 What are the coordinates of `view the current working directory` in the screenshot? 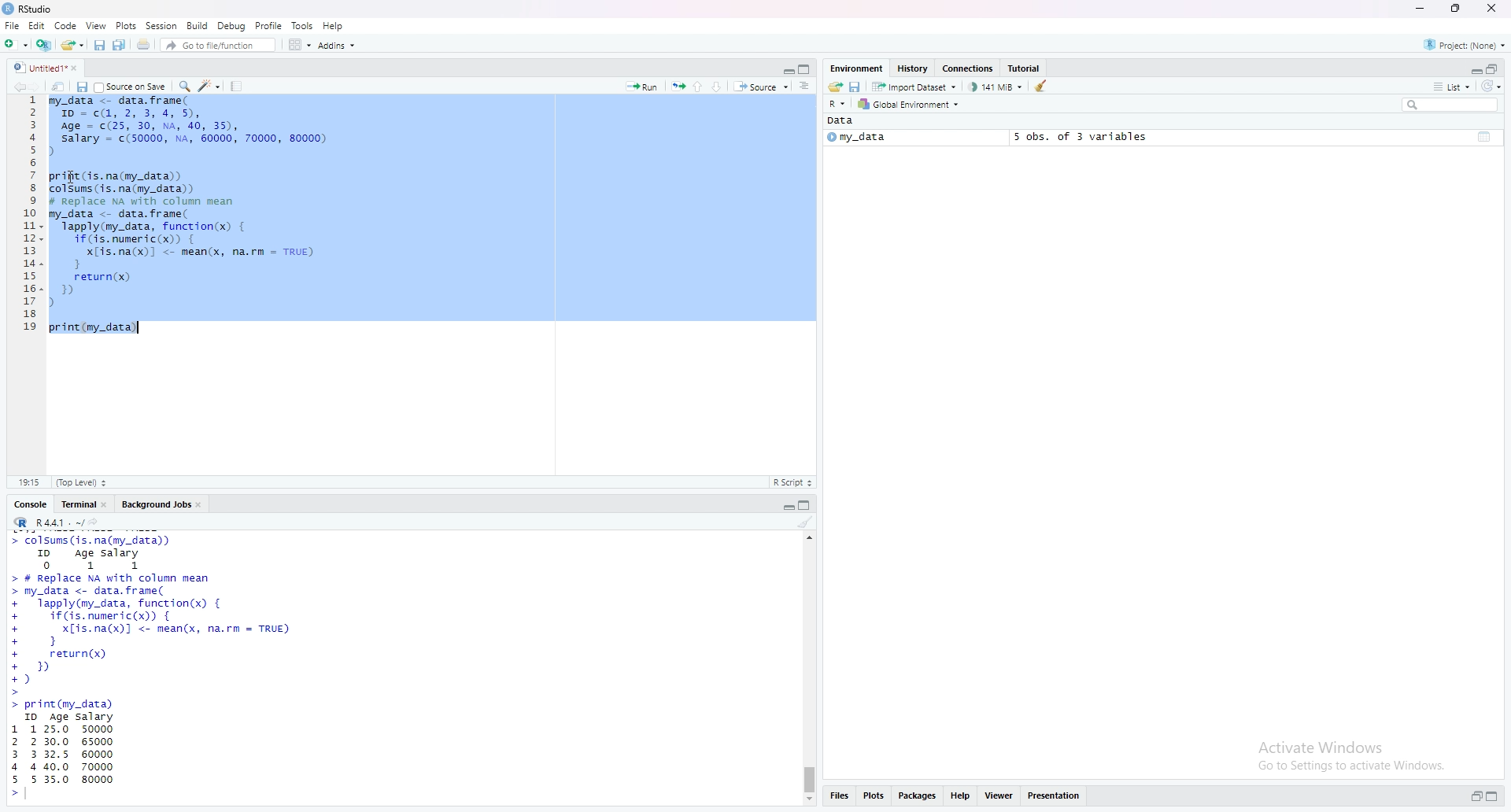 It's located at (97, 522).